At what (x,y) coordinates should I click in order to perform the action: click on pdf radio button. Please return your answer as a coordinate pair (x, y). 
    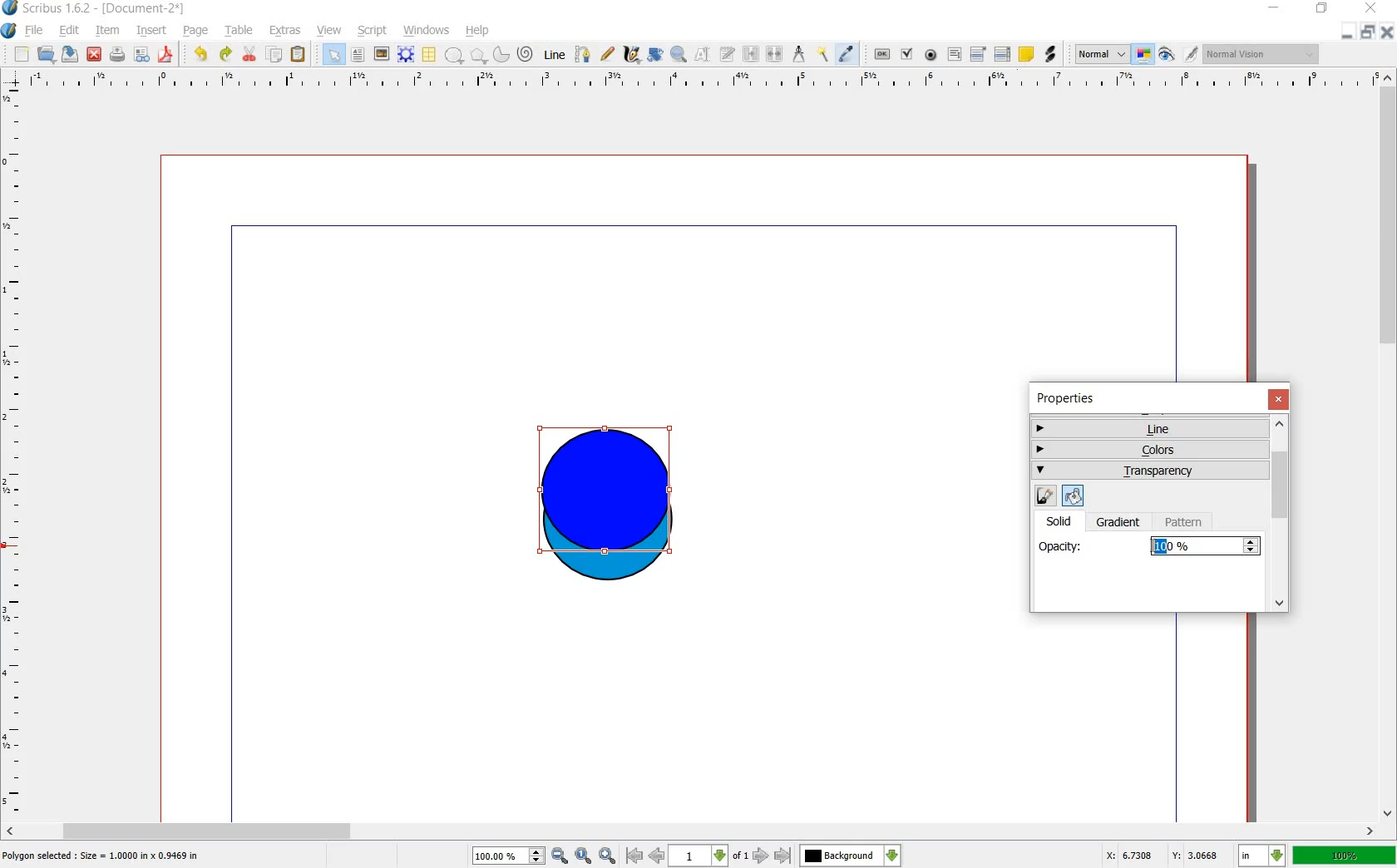
    Looking at the image, I should click on (930, 55).